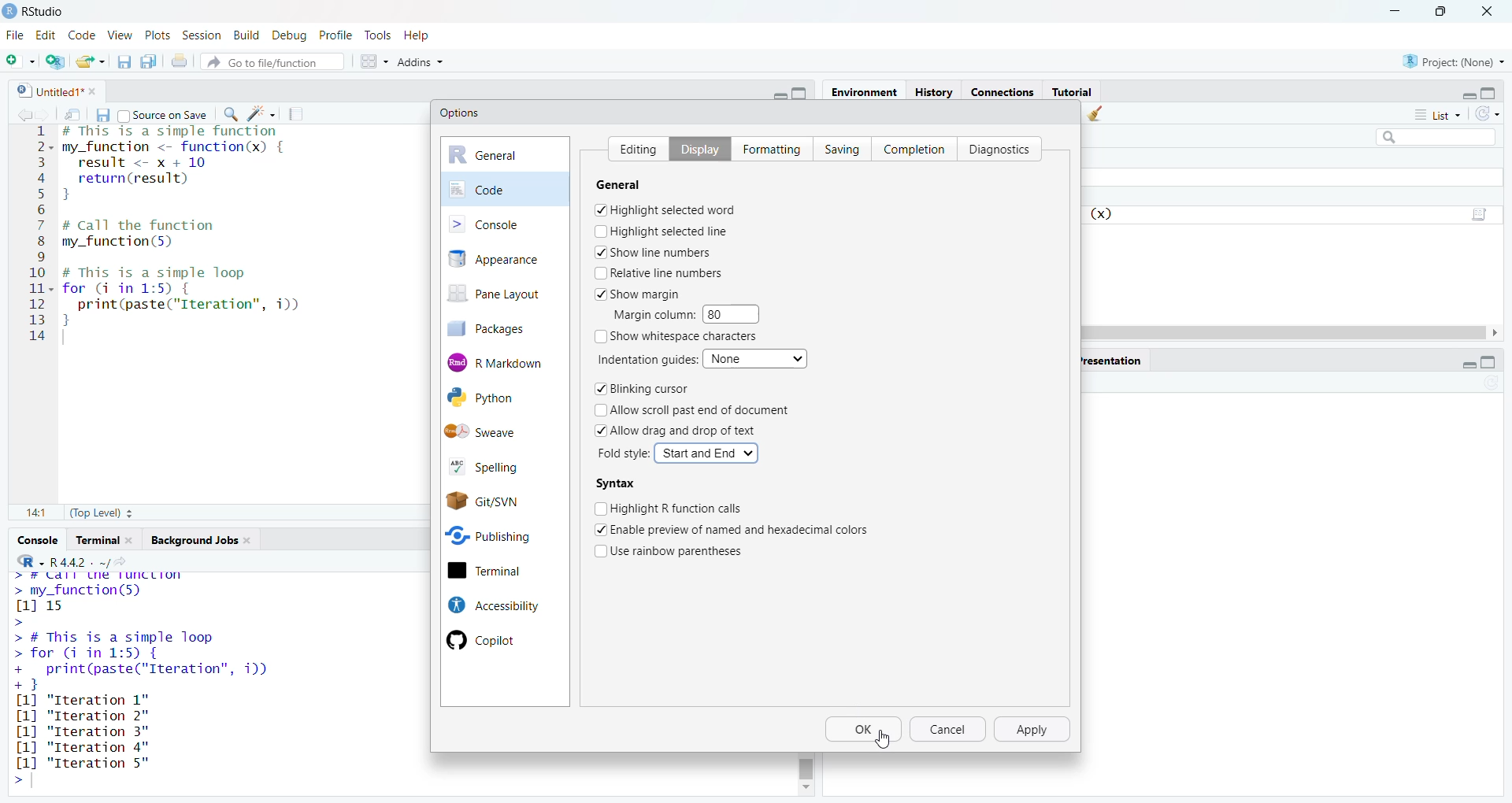 The width and height of the screenshot is (1512, 803). Describe the element at coordinates (91, 700) in the screenshot. I see `[1] "Iteration 1"` at that location.